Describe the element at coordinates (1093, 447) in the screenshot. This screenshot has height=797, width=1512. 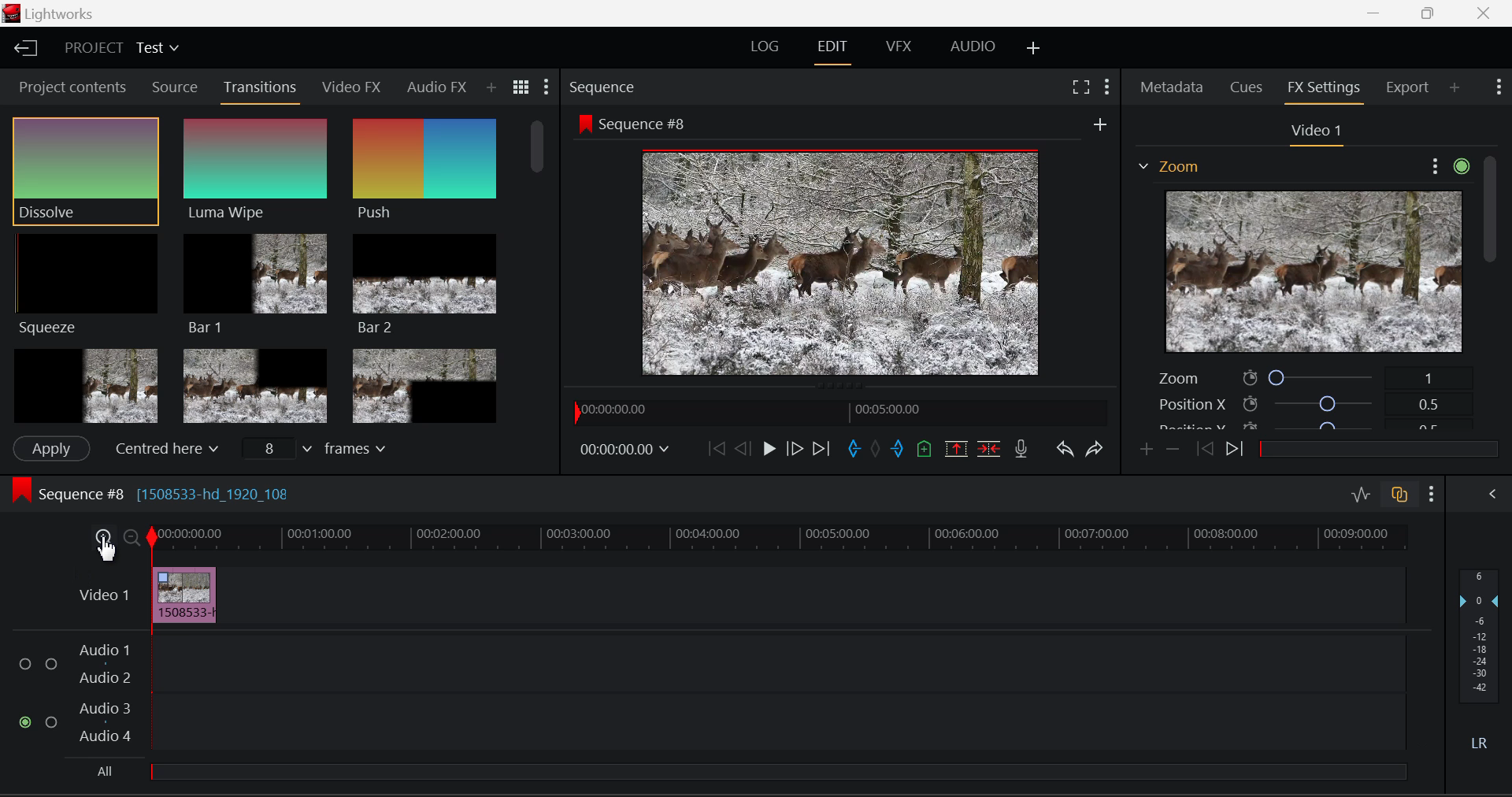
I see `Redo` at that location.